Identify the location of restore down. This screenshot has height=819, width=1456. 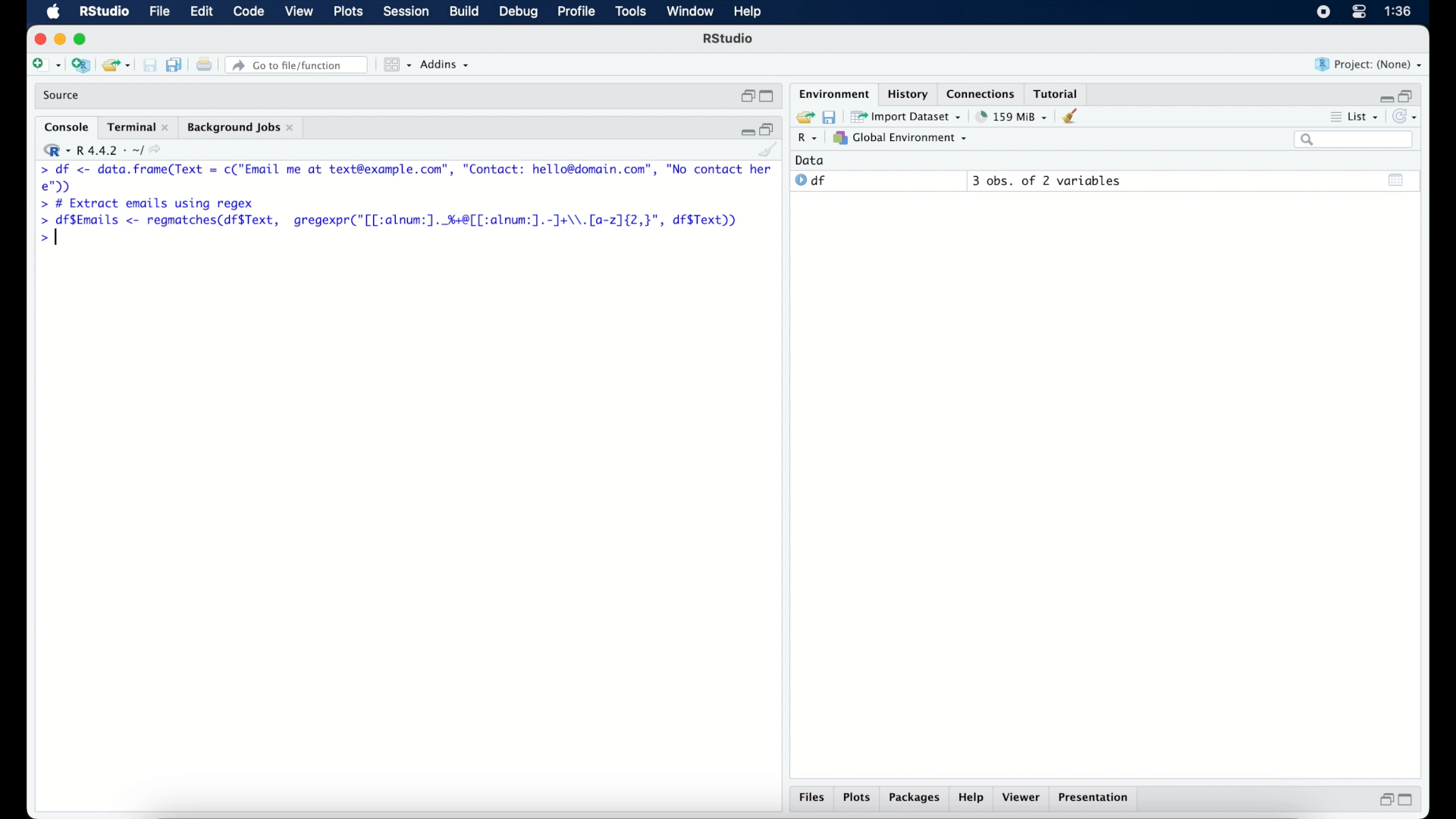
(1412, 96).